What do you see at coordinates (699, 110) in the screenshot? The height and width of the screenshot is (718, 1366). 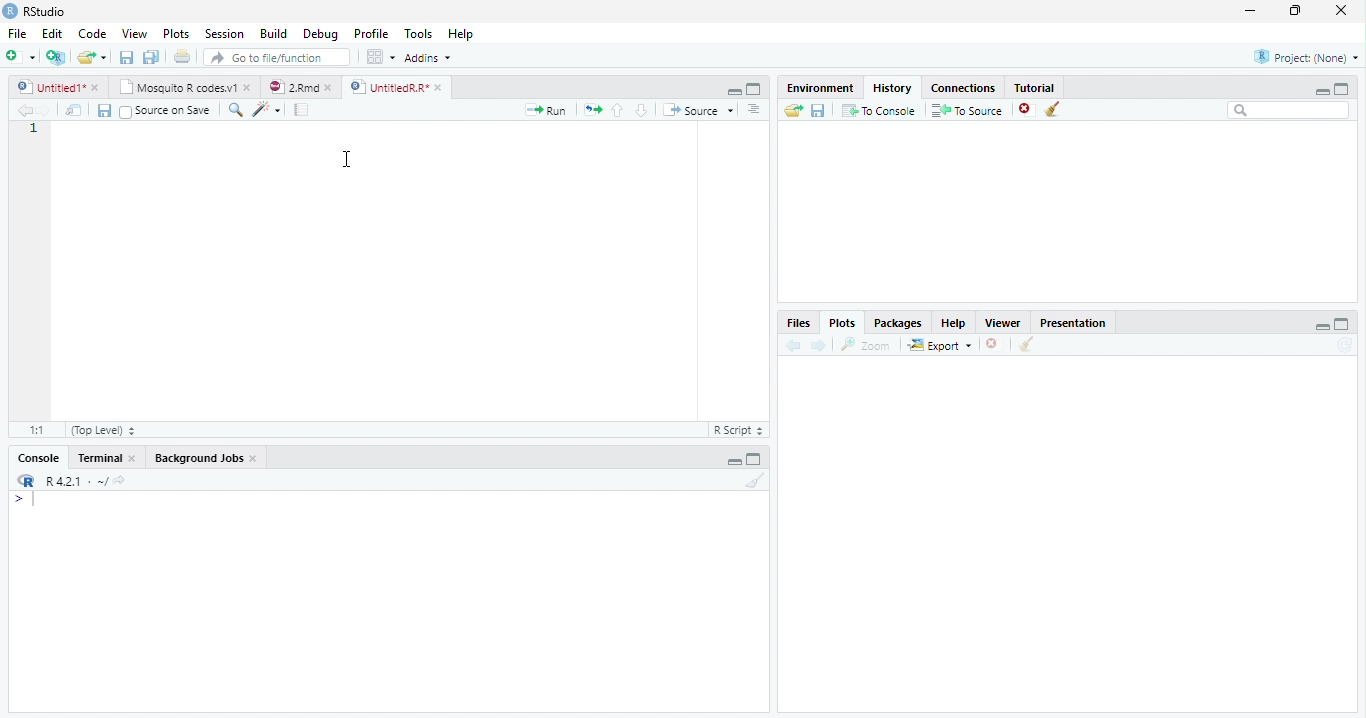 I see `Source` at bounding box center [699, 110].